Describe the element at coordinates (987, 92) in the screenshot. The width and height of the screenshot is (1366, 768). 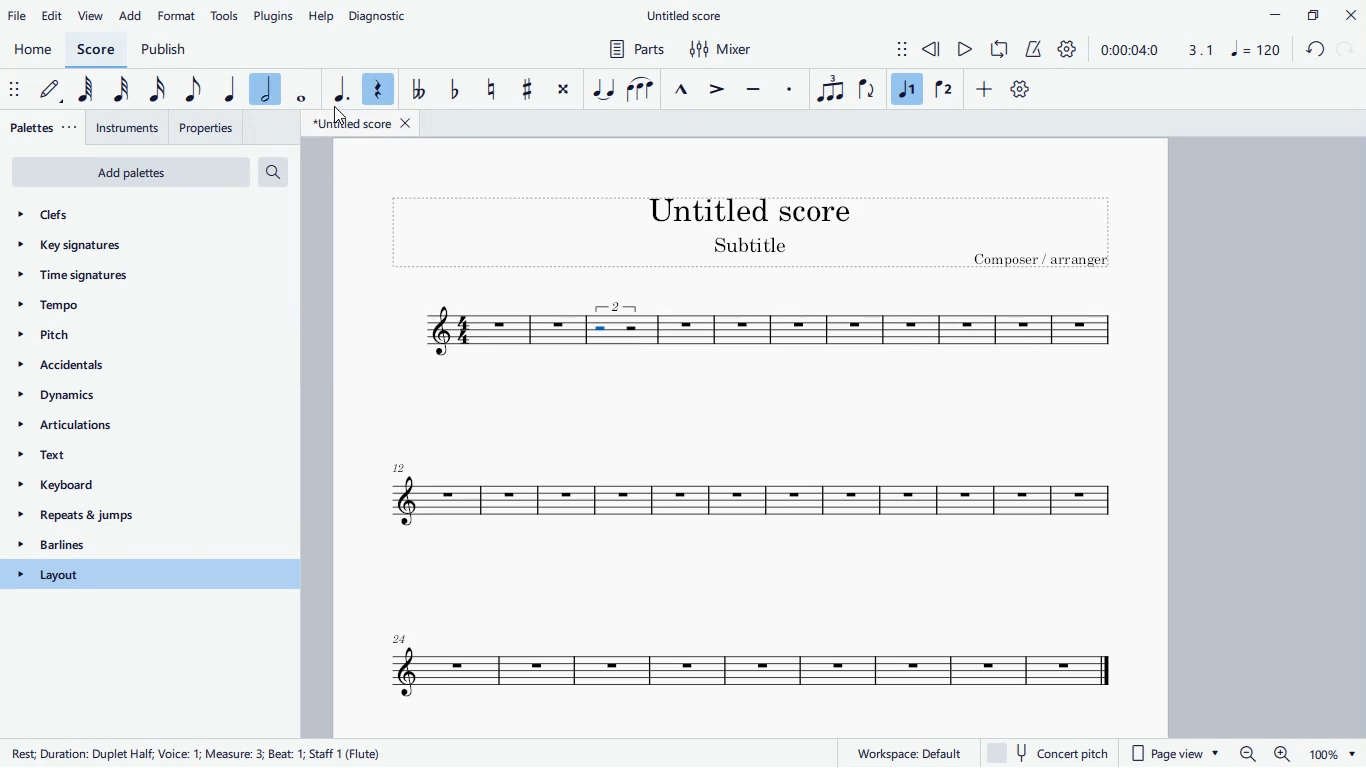
I see `more` at that location.